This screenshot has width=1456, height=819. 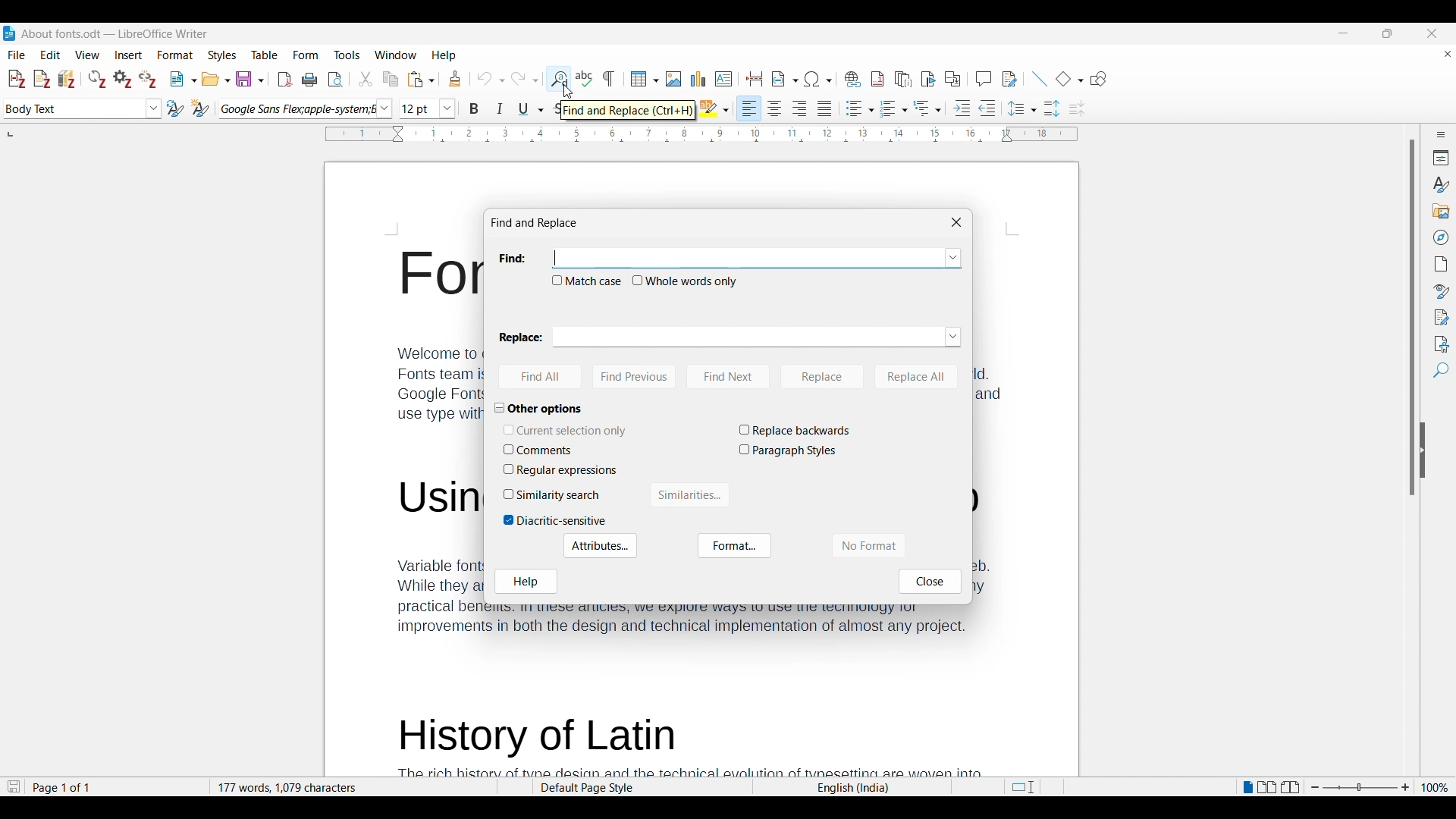 I want to click on Align to right, so click(x=800, y=108).